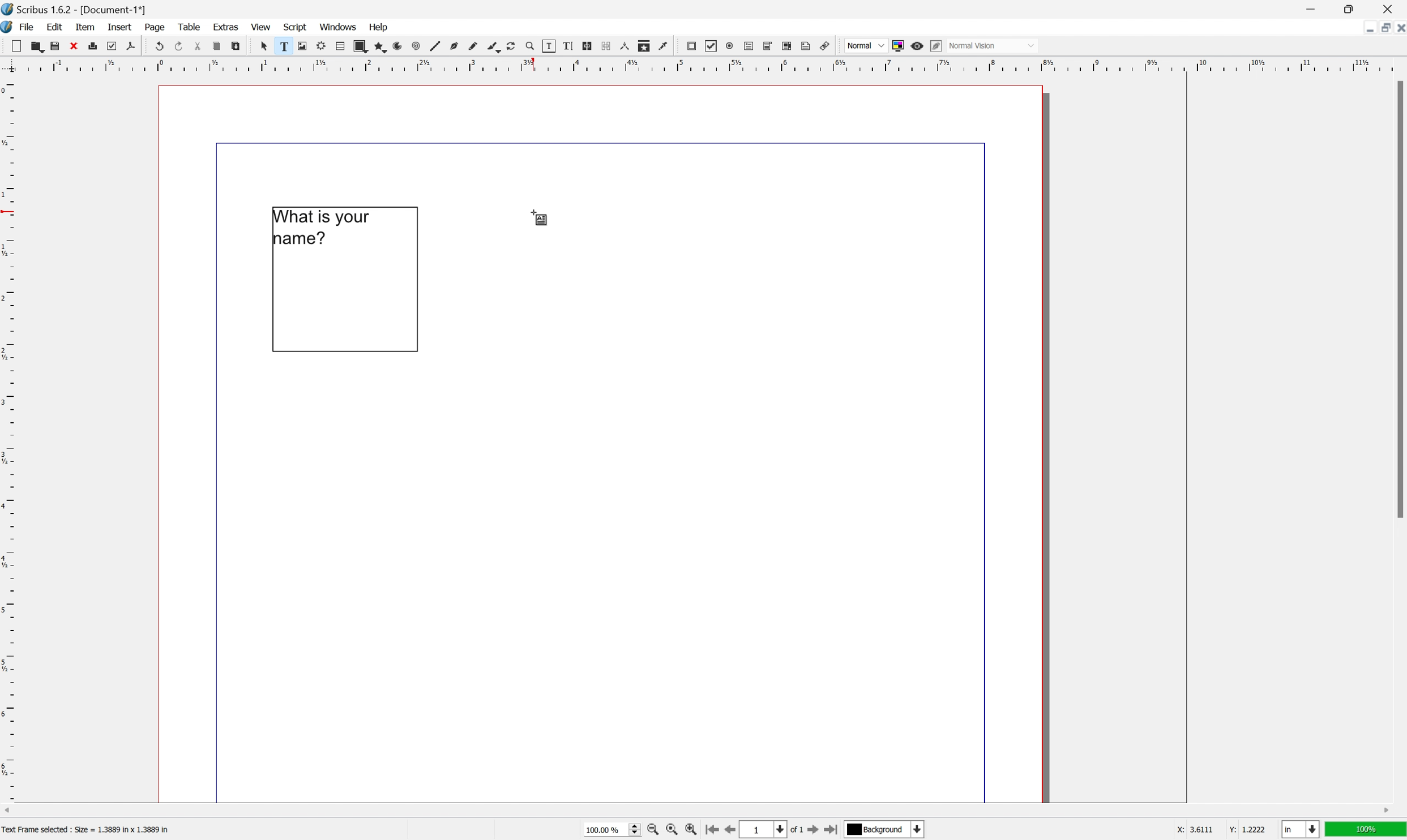 This screenshot has height=840, width=1407. What do you see at coordinates (1391, 8) in the screenshot?
I see `close` at bounding box center [1391, 8].